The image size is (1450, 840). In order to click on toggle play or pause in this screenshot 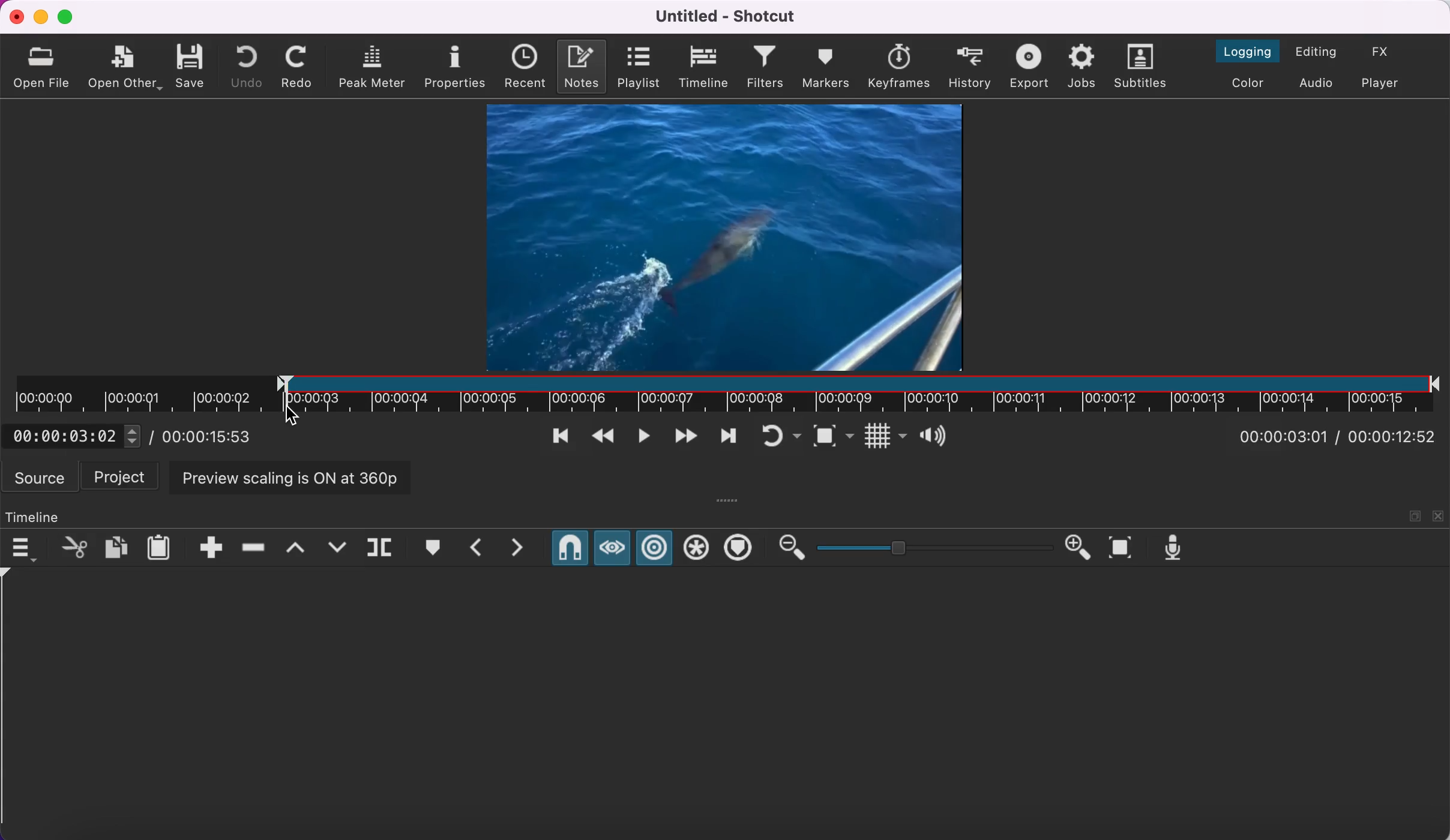, I will do `click(640, 439)`.